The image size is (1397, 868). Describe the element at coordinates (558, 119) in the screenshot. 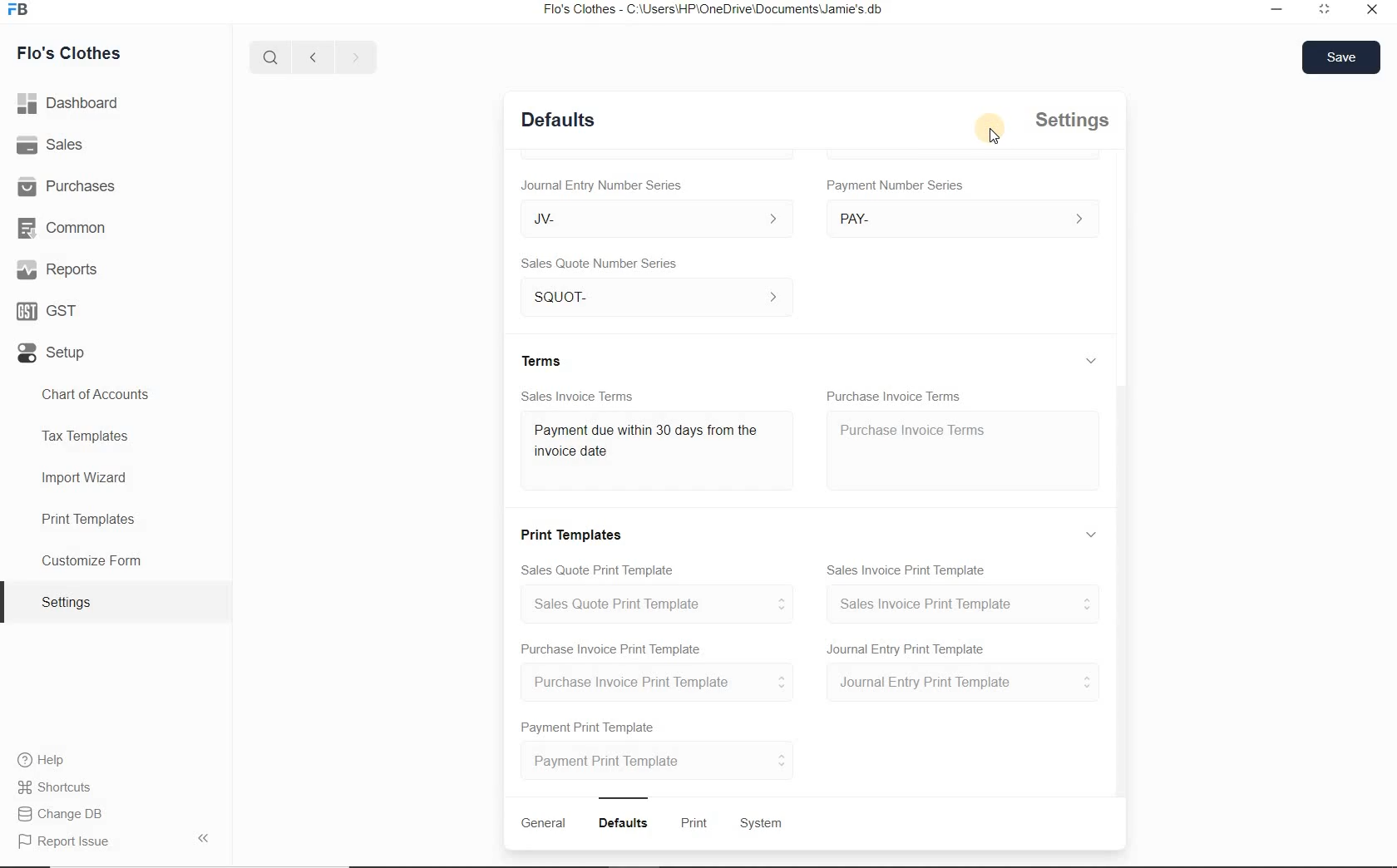

I see `Defaults` at that location.